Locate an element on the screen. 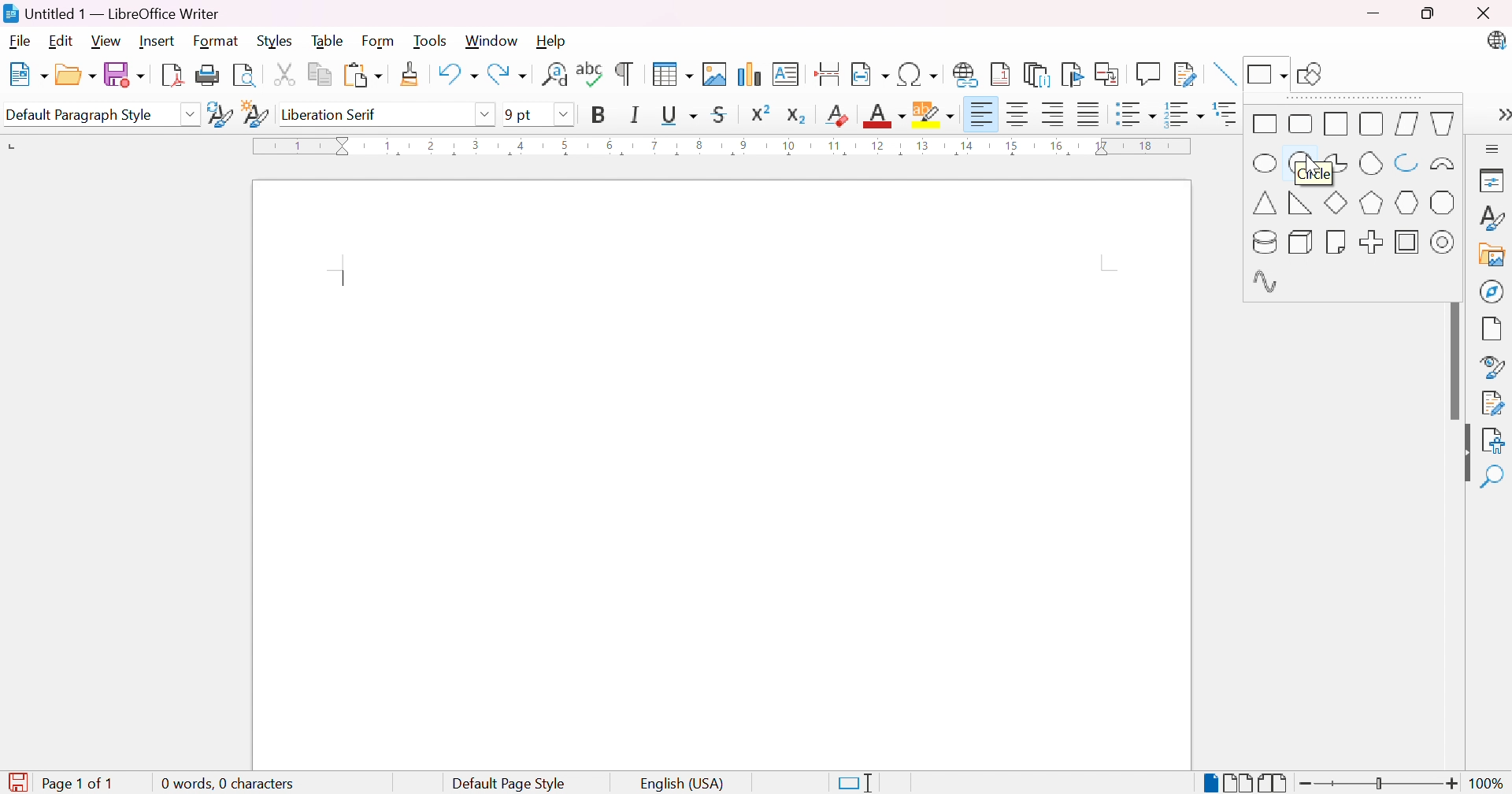 This screenshot has width=1512, height=794. Align left is located at coordinates (983, 116).